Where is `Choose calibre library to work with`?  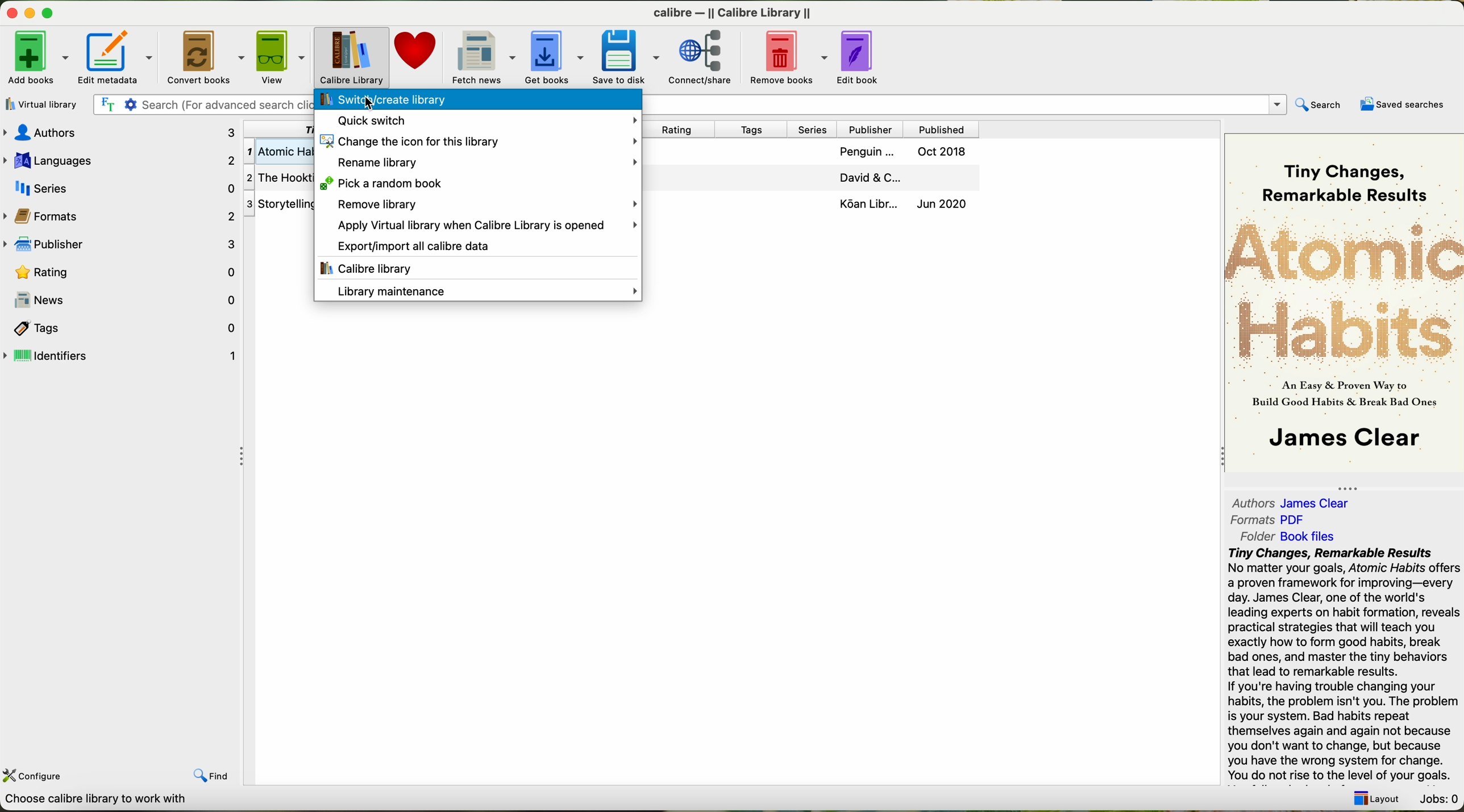 Choose calibre library to work with is located at coordinates (100, 798).